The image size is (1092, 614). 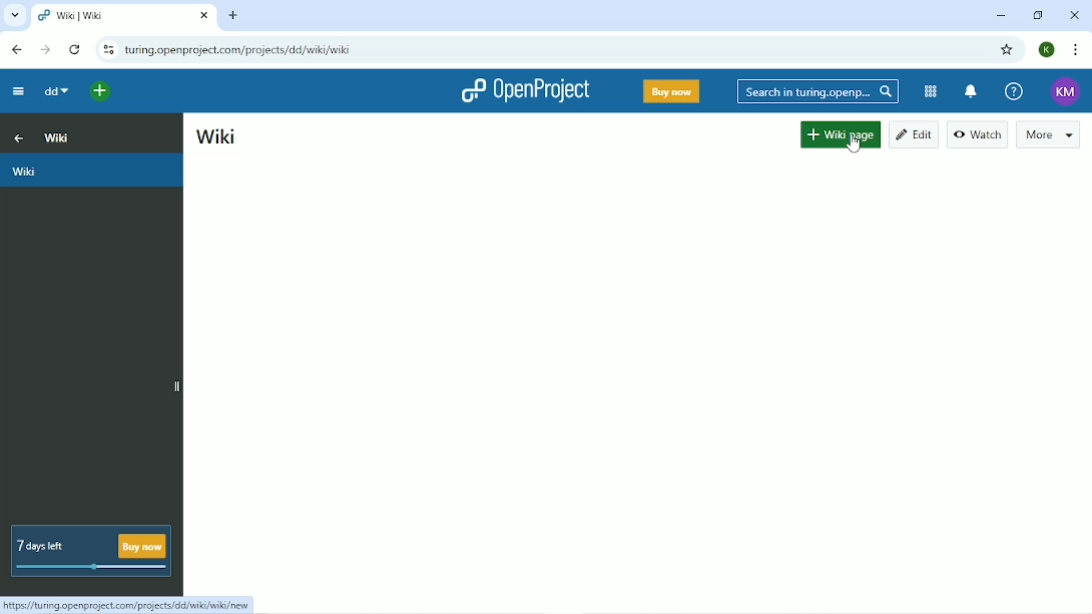 I want to click on Help, so click(x=1014, y=91).